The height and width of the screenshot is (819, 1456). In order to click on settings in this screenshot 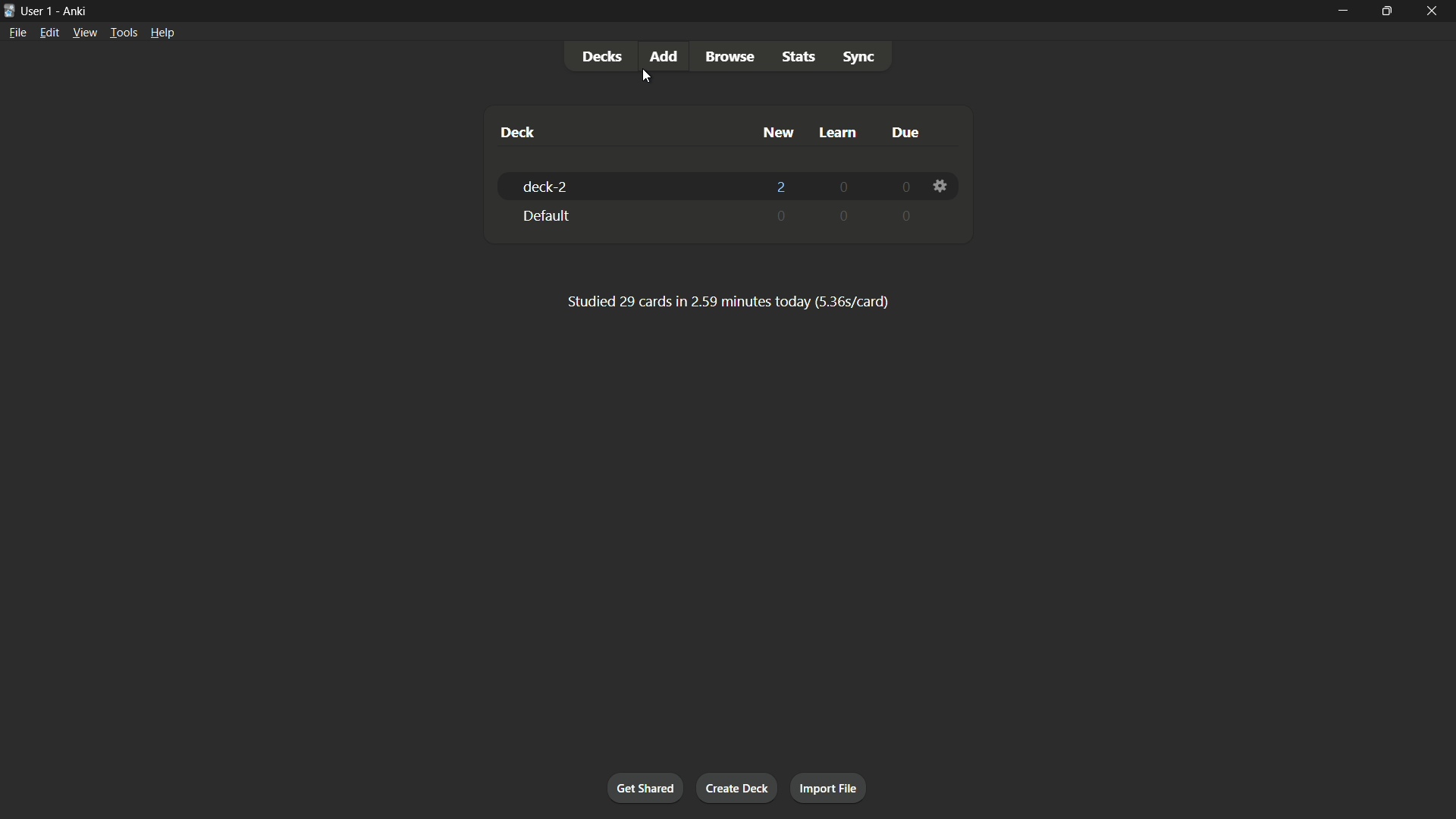, I will do `click(940, 186)`.